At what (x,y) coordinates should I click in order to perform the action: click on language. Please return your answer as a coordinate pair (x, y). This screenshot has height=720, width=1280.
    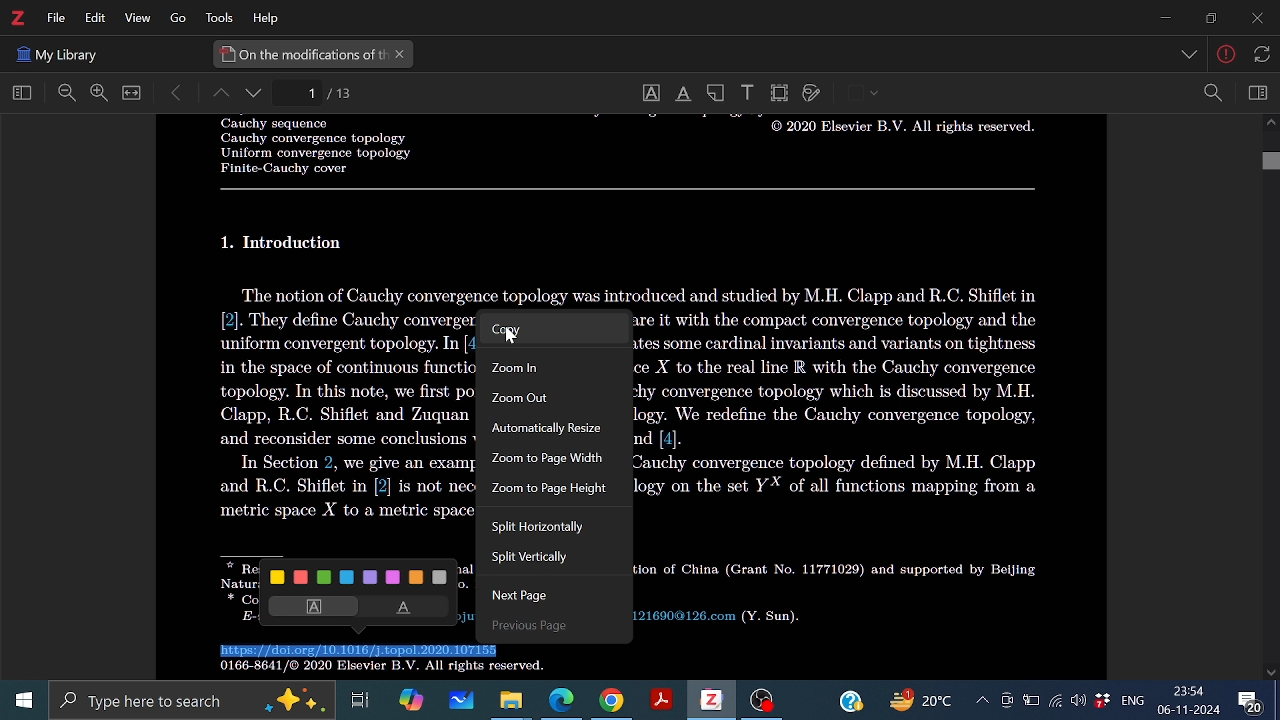
    Looking at the image, I should click on (1130, 699).